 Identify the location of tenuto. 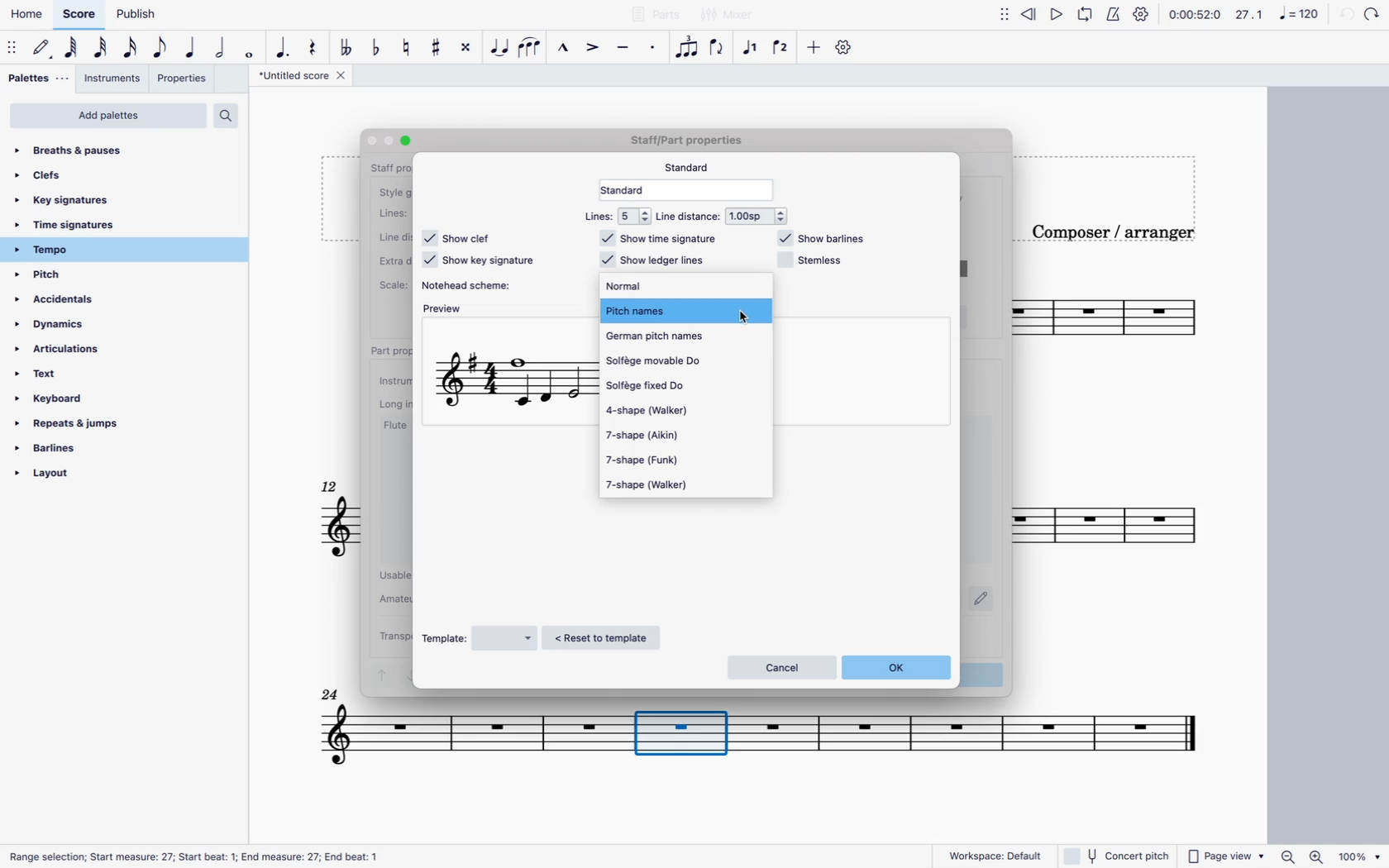
(625, 45).